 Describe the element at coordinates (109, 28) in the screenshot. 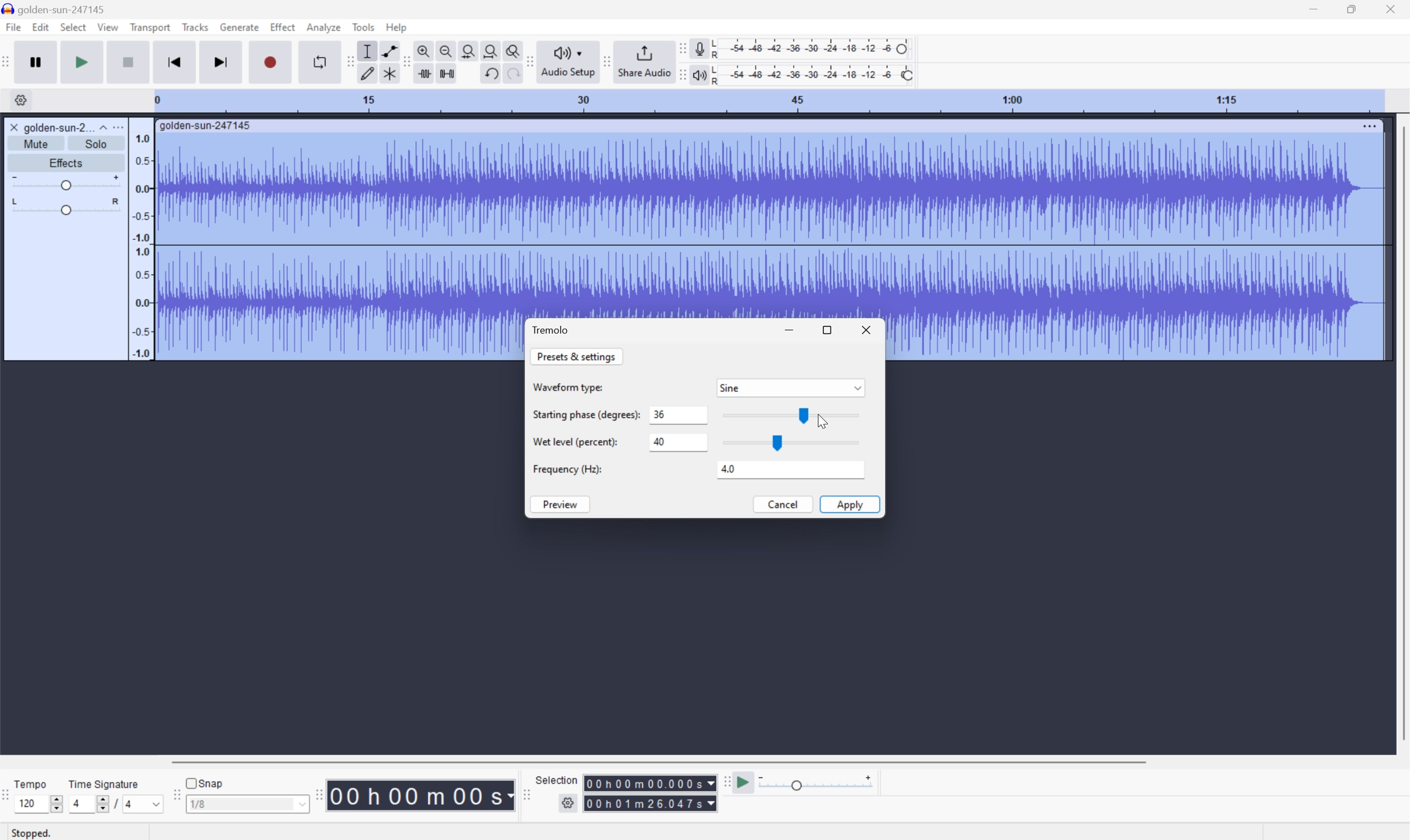

I see `View` at that location.